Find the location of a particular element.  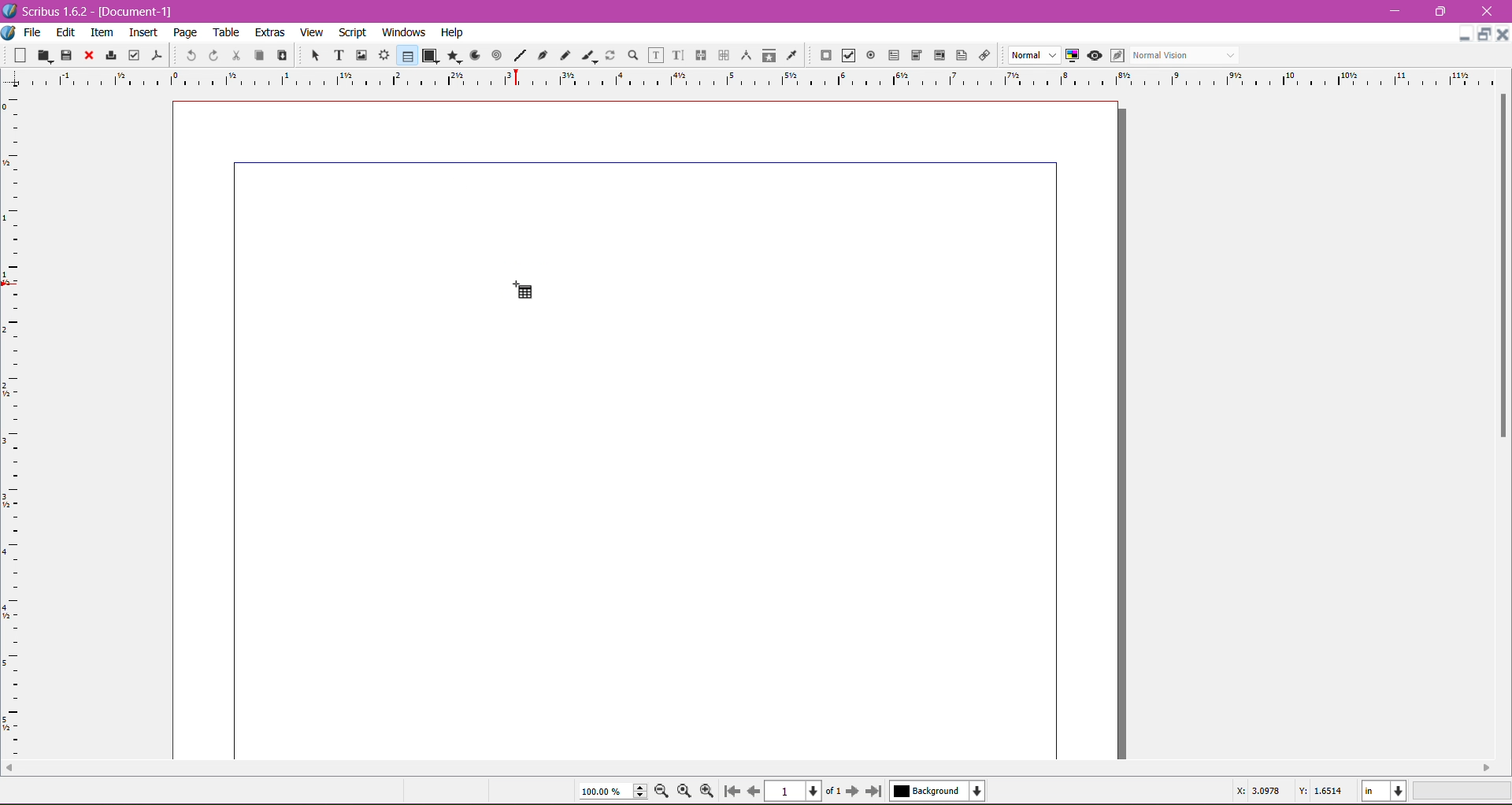

Y: 1.6512 in is located at coordinates (558, 327).